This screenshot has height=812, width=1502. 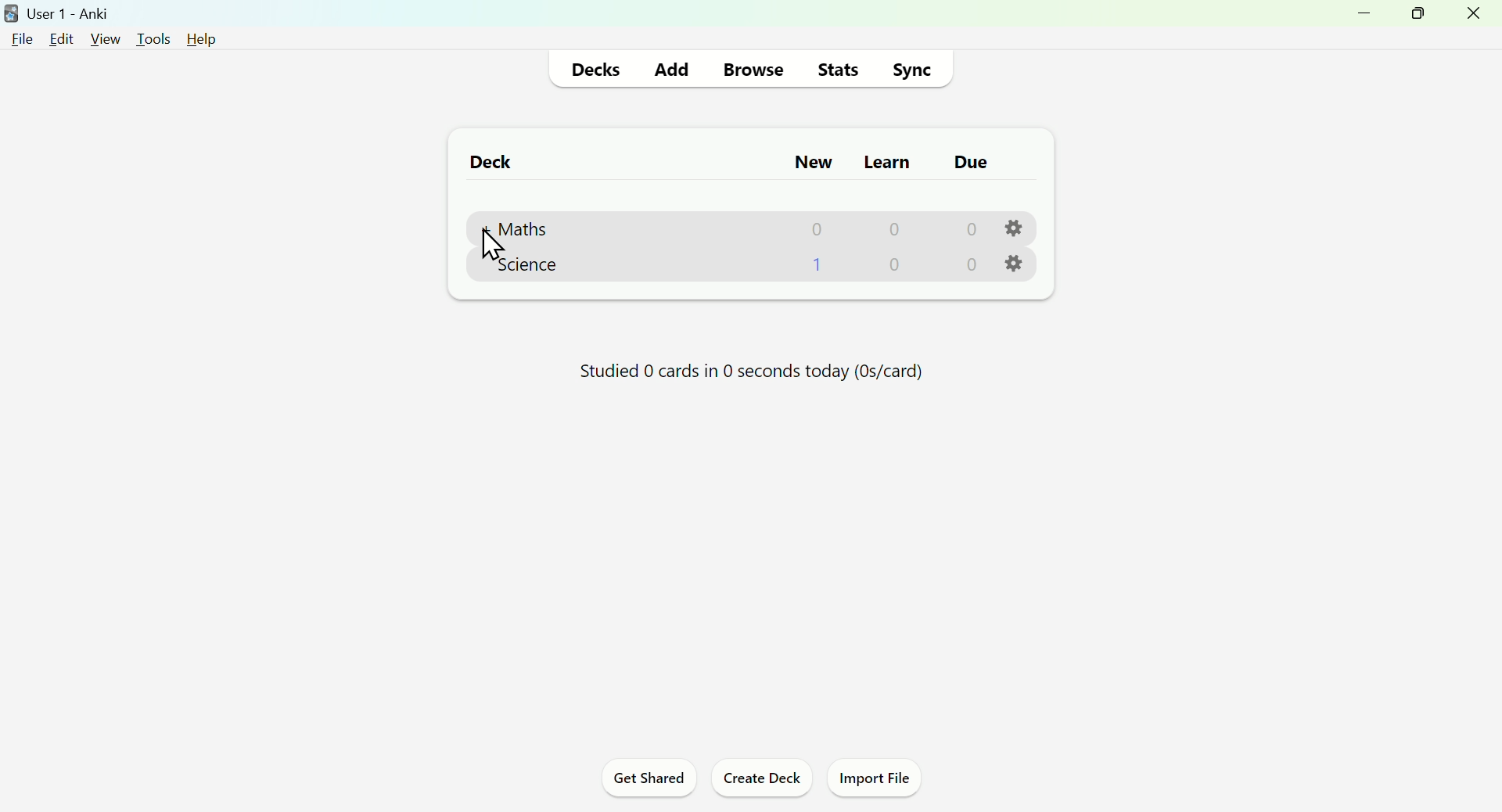 What do you see at coordinates (483, 161) in the screenshot?
I see `Deck` at bounding box center [483, 161].